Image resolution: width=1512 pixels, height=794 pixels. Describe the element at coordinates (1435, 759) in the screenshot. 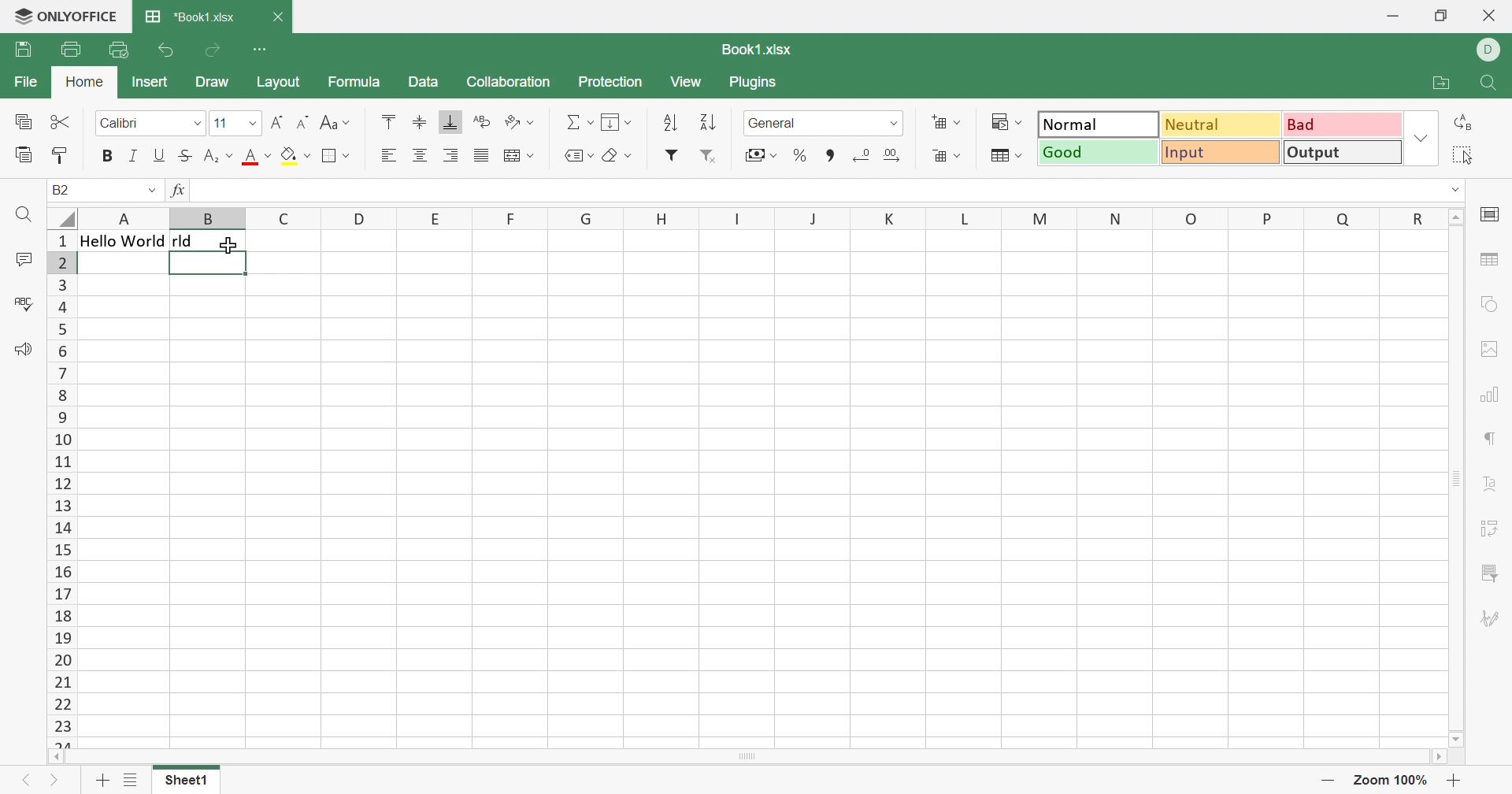

I see `Scroll Right` at that location.